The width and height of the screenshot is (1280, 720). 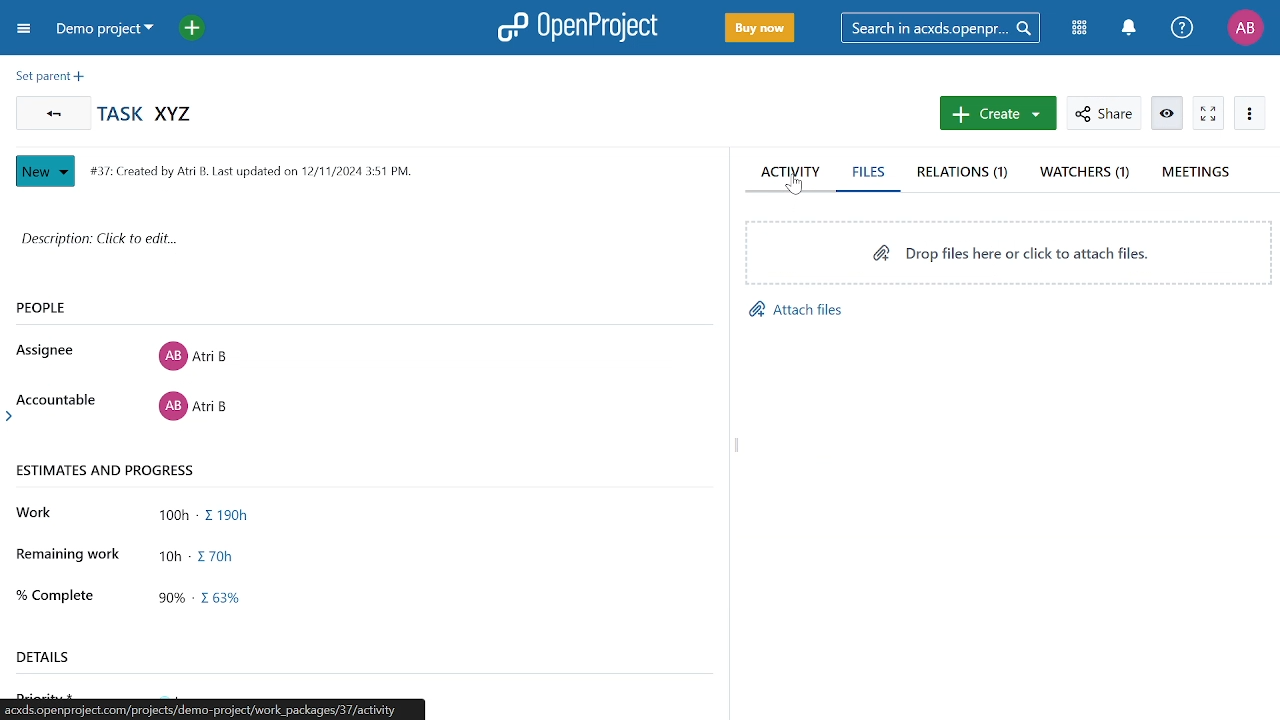 I want to click on Click here to add descripiton, so click(x=344, y=244).